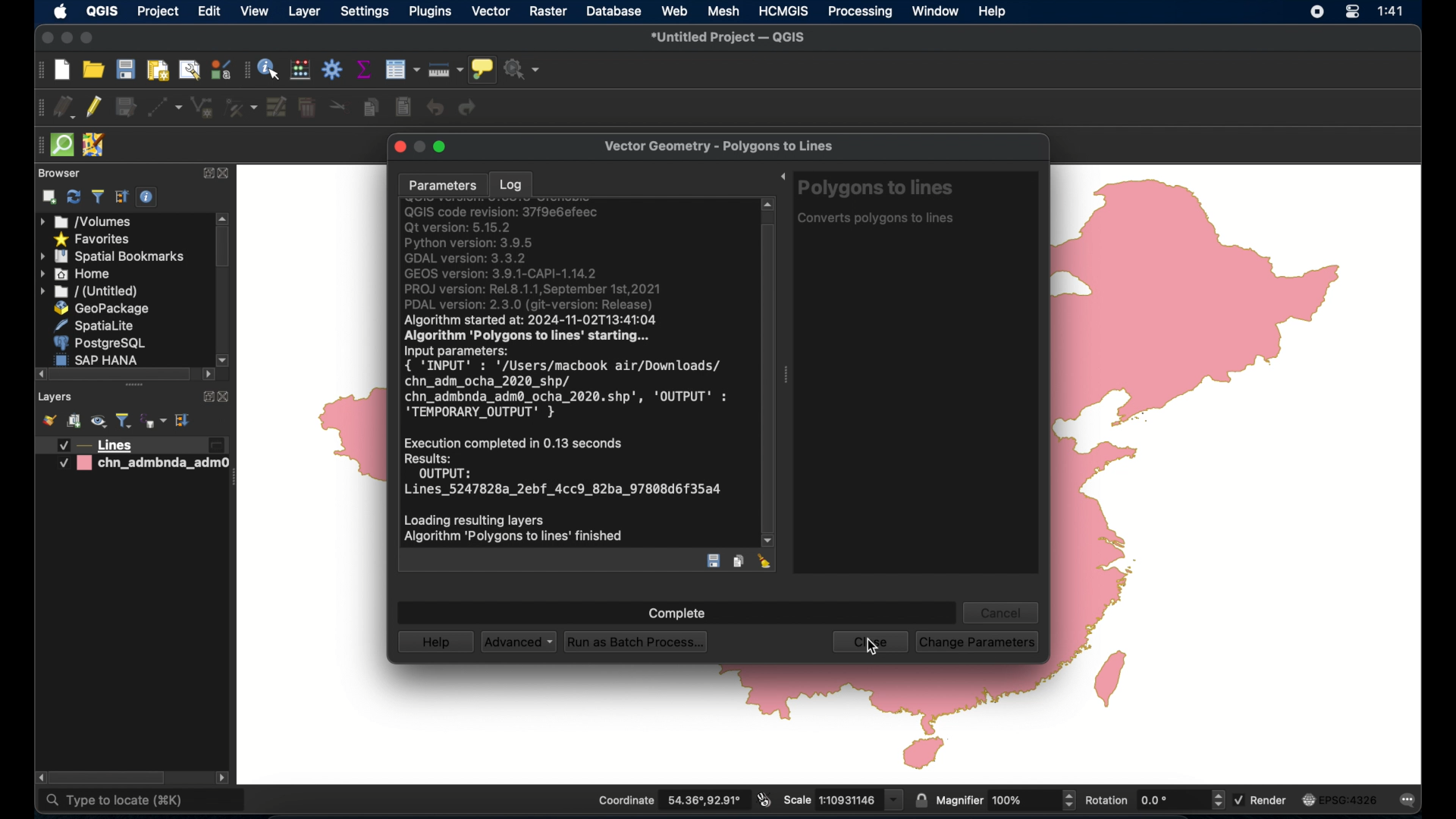 The image size is (1456, 819). I want to click on parameters, so click(441, 184).